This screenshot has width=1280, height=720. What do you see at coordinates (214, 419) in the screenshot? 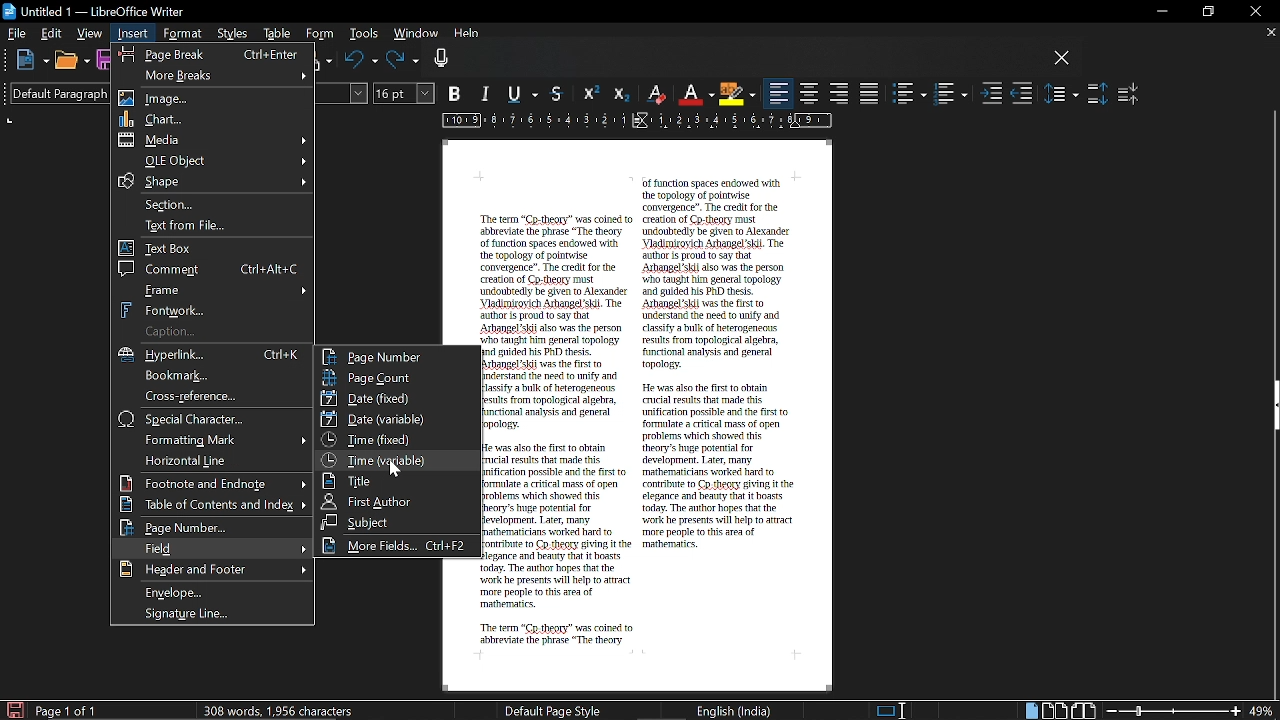
I see `Special character` at bounding box center [214, 419].